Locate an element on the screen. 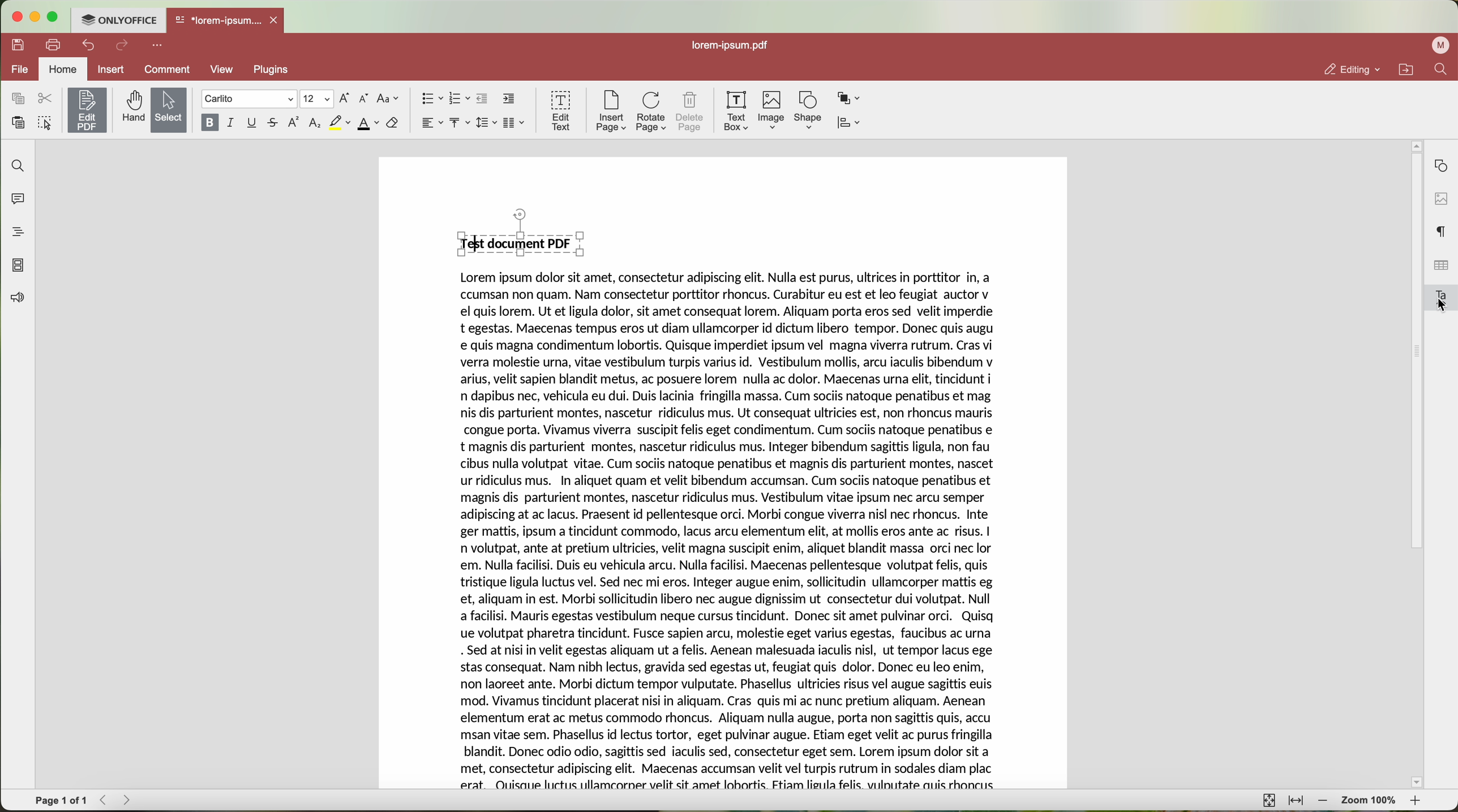  align shape is located at coordinates (848, 123).